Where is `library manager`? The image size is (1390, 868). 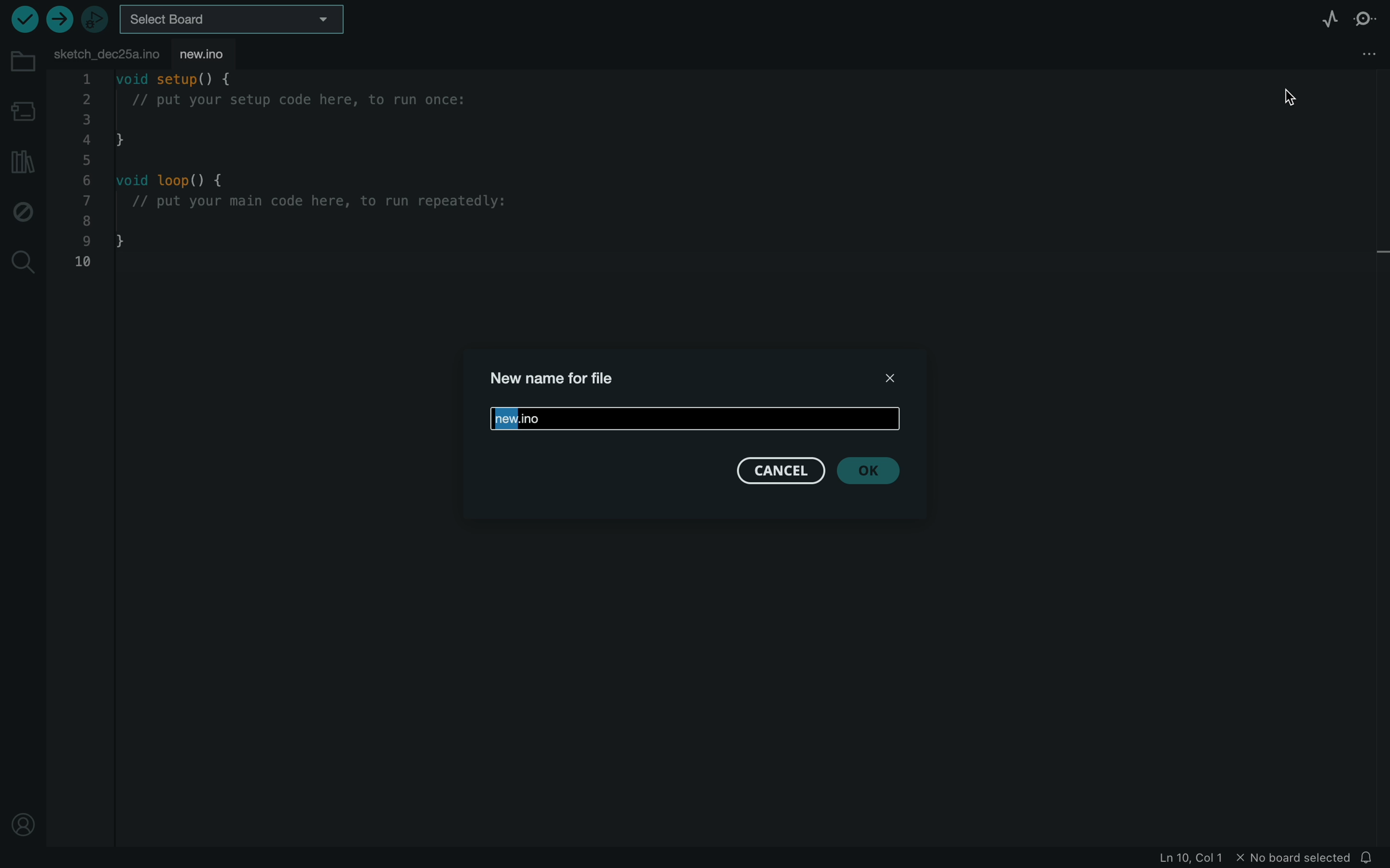
library manager is located at coordinates (20, 161).